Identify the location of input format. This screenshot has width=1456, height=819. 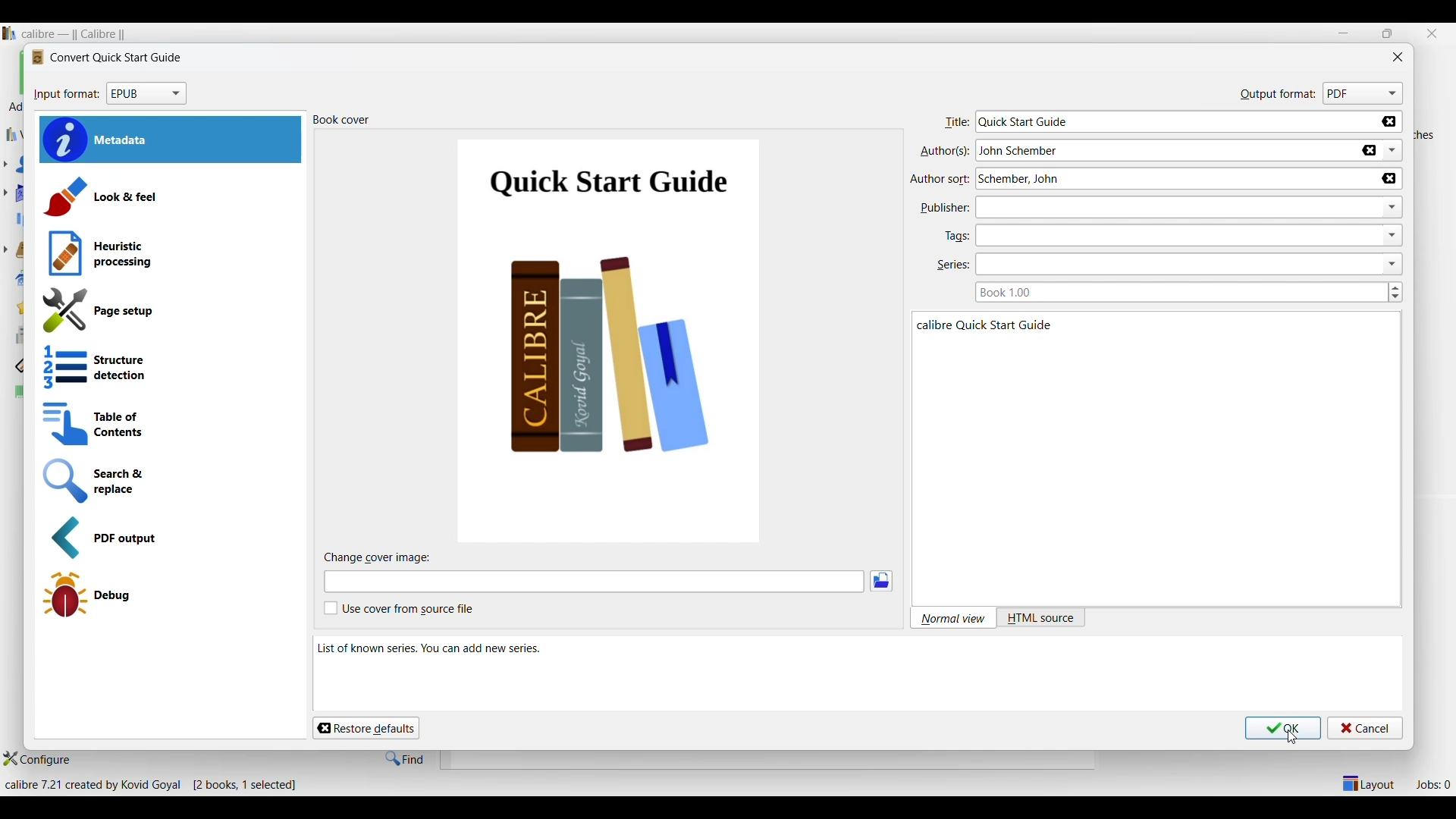
(67, 94).